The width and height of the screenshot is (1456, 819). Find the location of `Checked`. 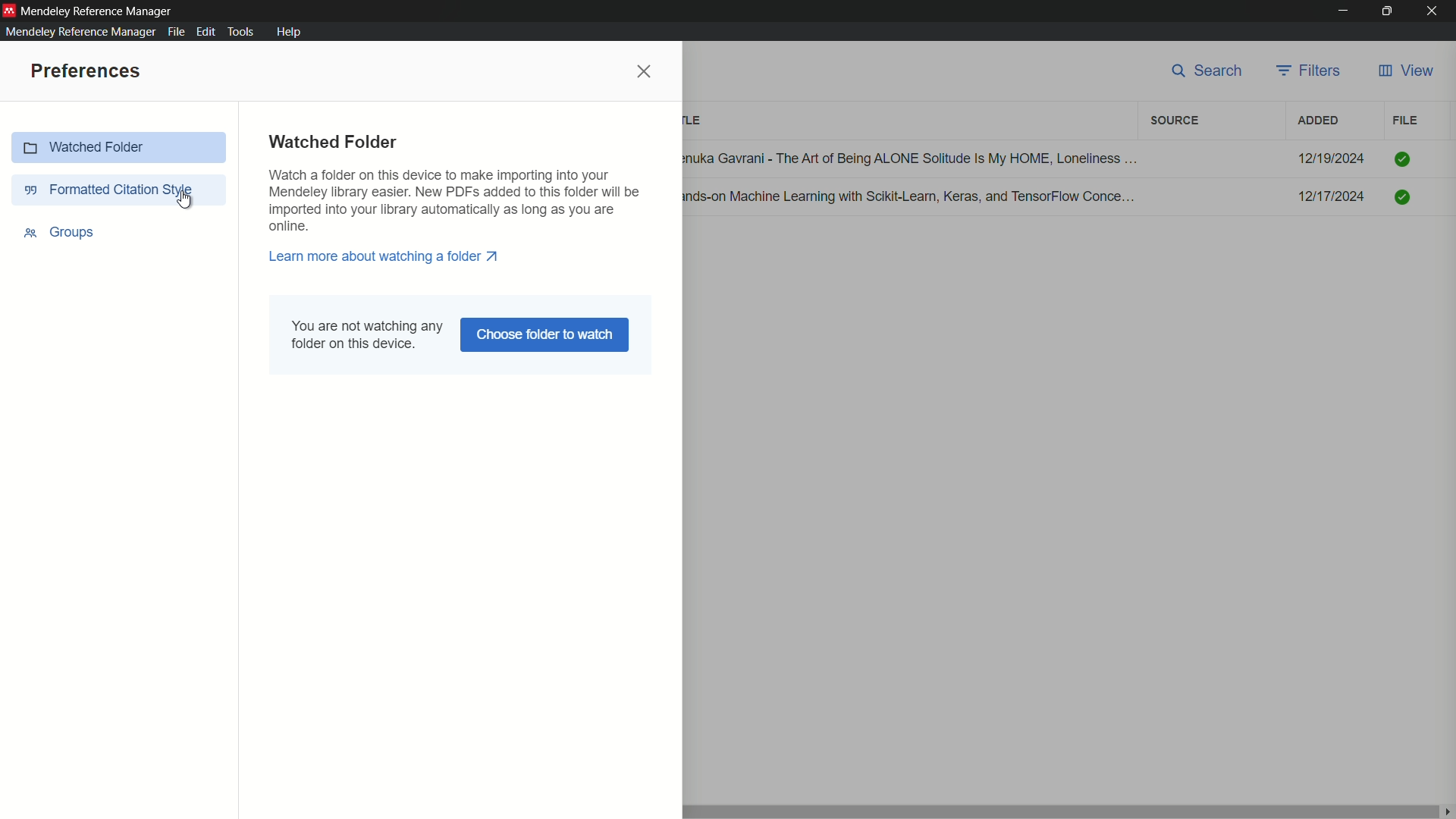

Checked is located at coordinates (1402, 159).